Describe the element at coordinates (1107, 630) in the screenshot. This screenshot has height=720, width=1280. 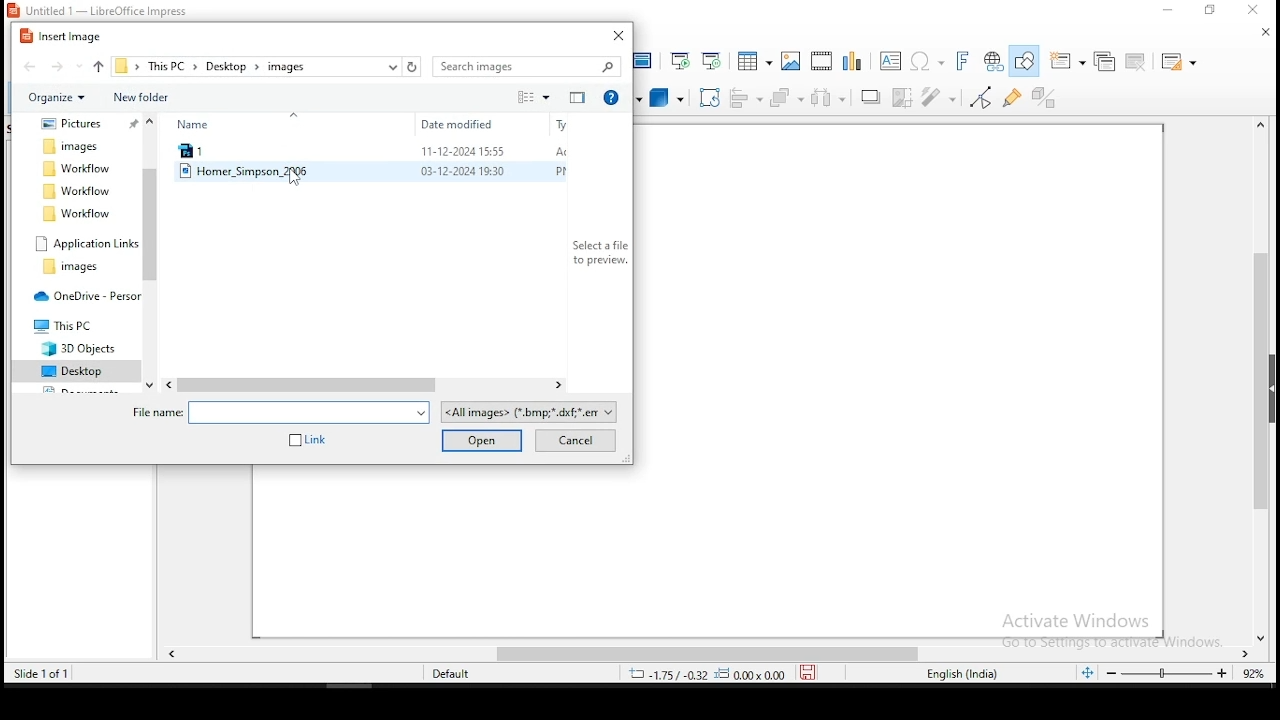
I see `activate windows` at that location.